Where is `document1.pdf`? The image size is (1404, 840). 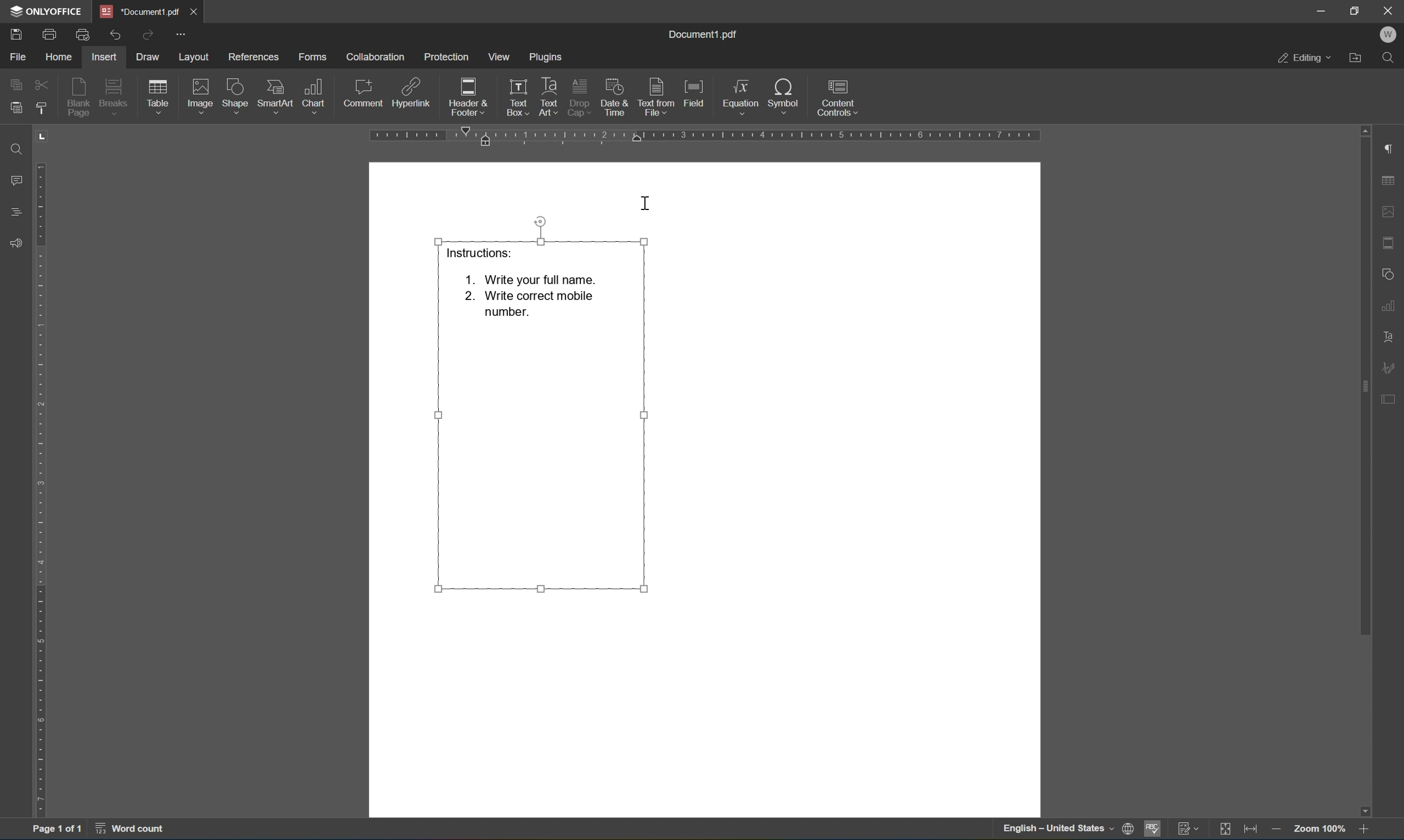 document1.pdf is located at coordinates (702, 35).